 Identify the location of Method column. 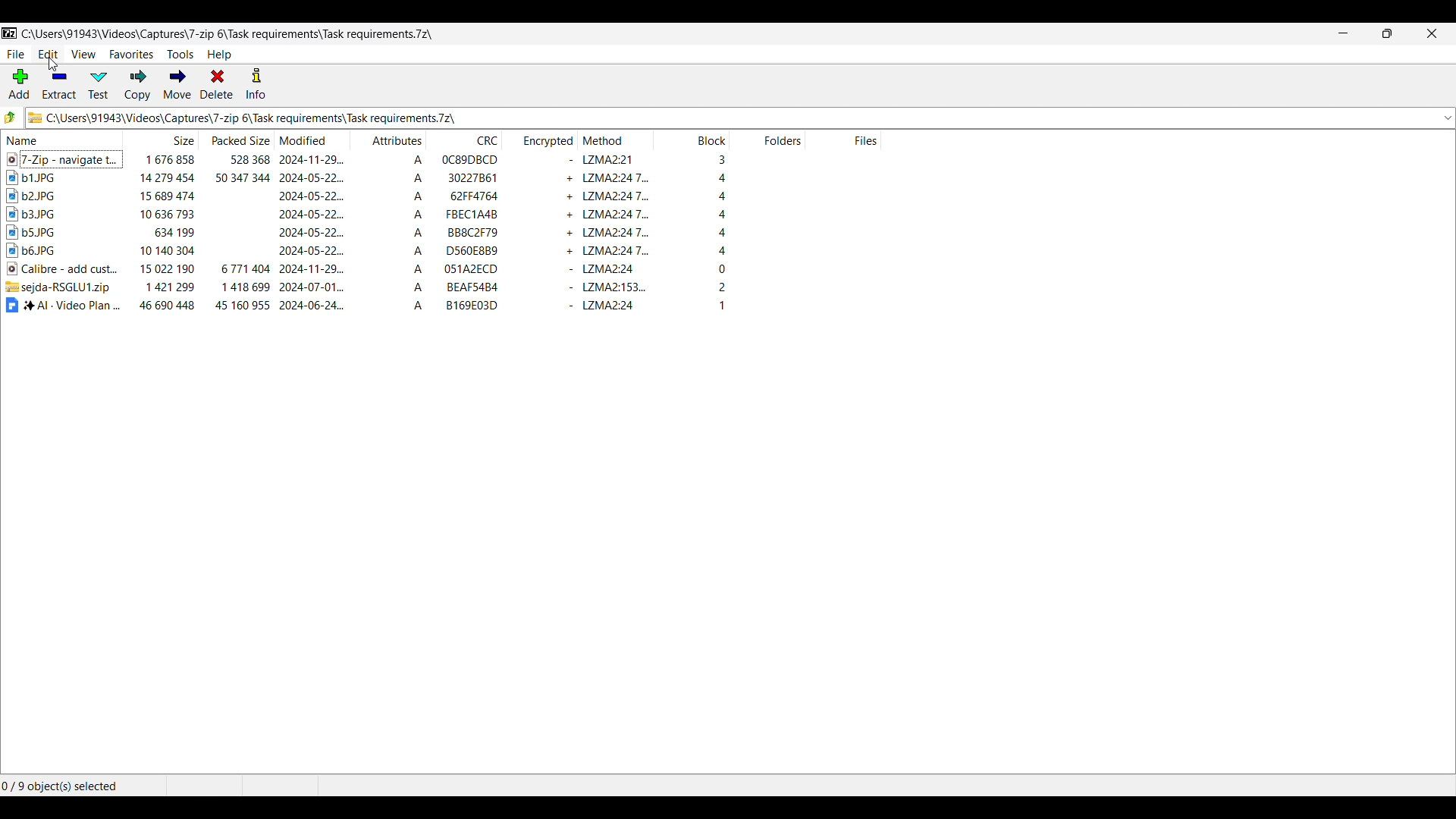
(617, 139).